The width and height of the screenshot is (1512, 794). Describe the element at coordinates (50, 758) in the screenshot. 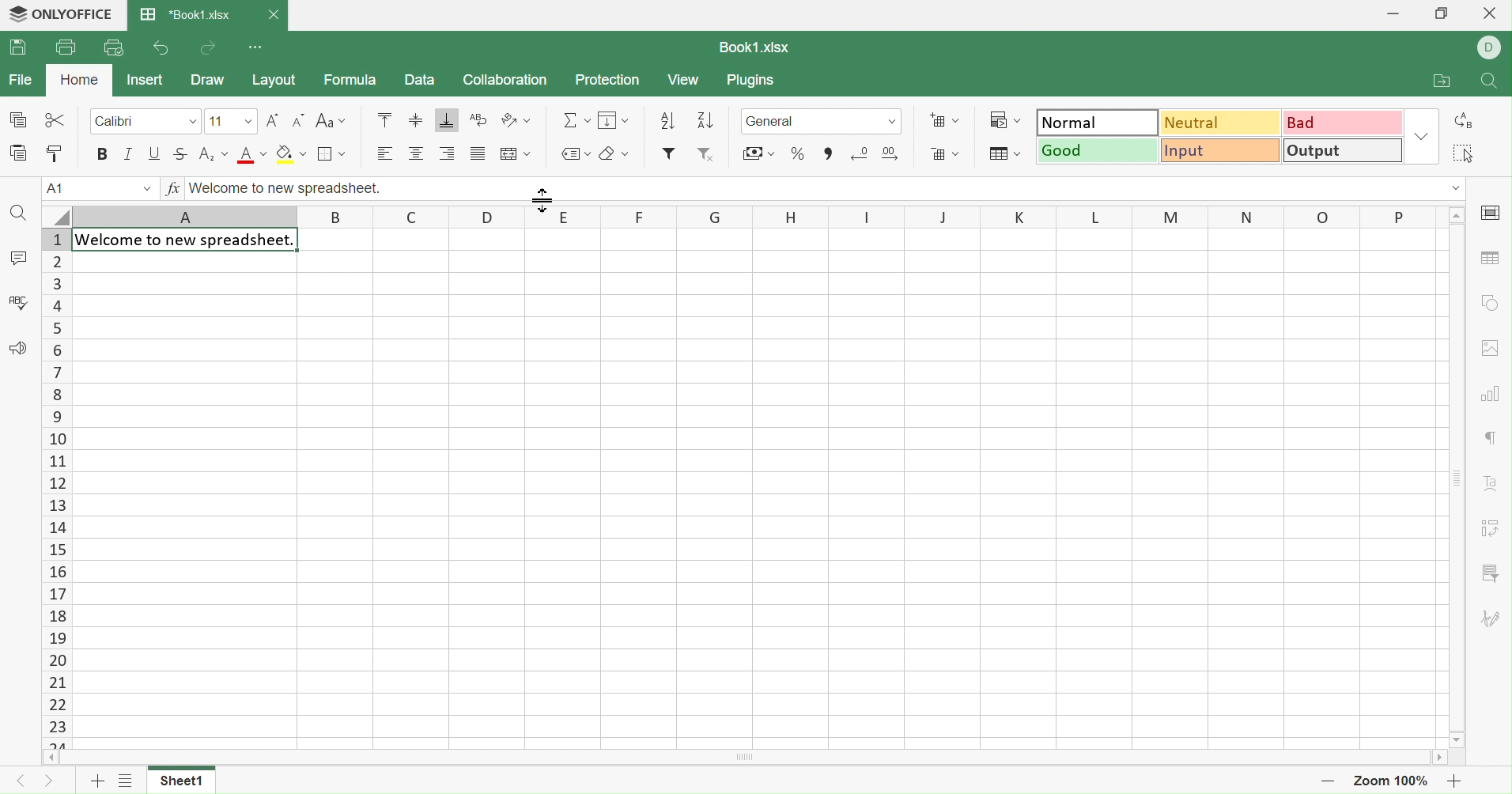

I see `Scroll Left` at that location.